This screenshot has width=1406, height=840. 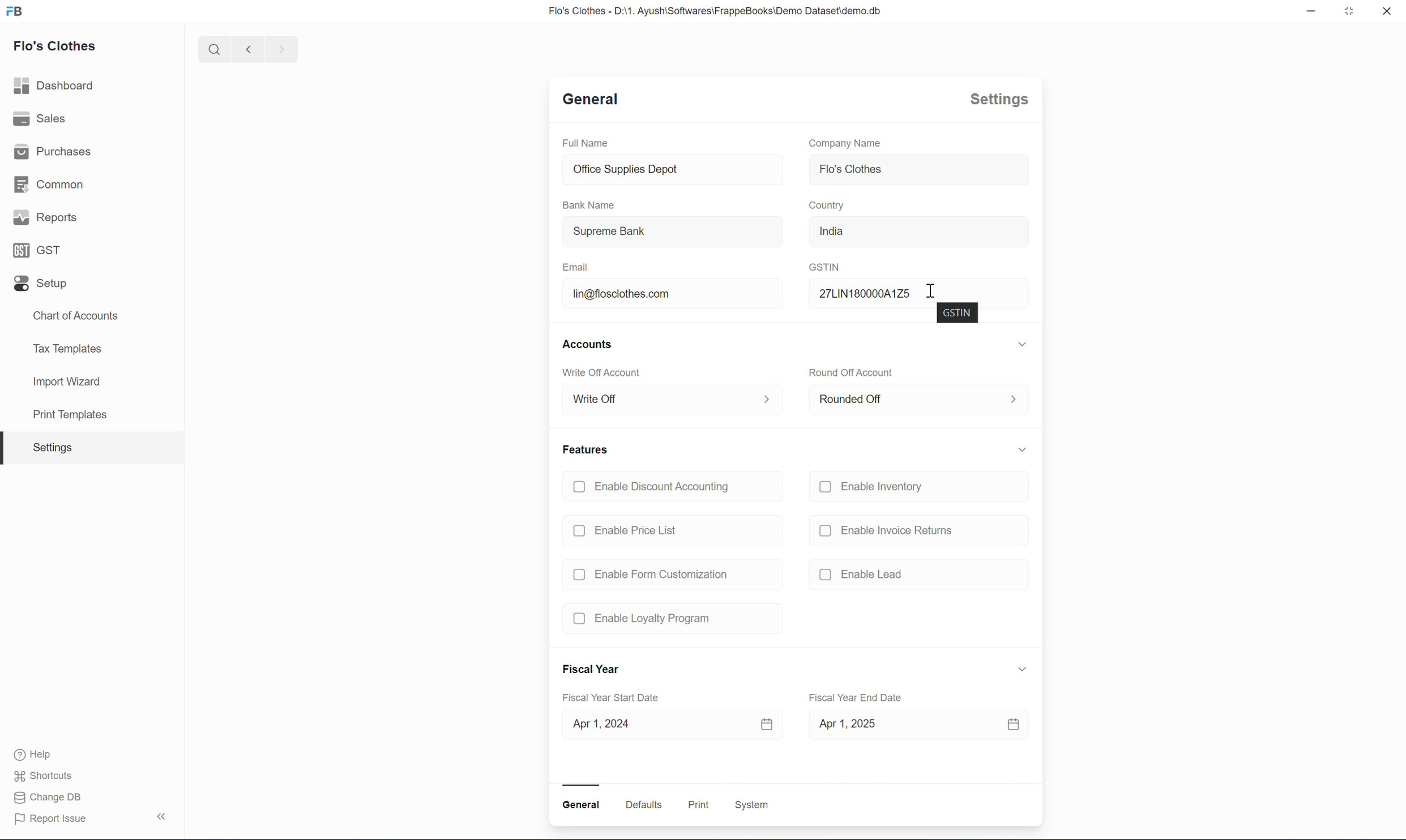 What do you see at coordinates (864, 573) in the screenshot?
I see `(J Enable Lead` at bounding box center [864, 573].